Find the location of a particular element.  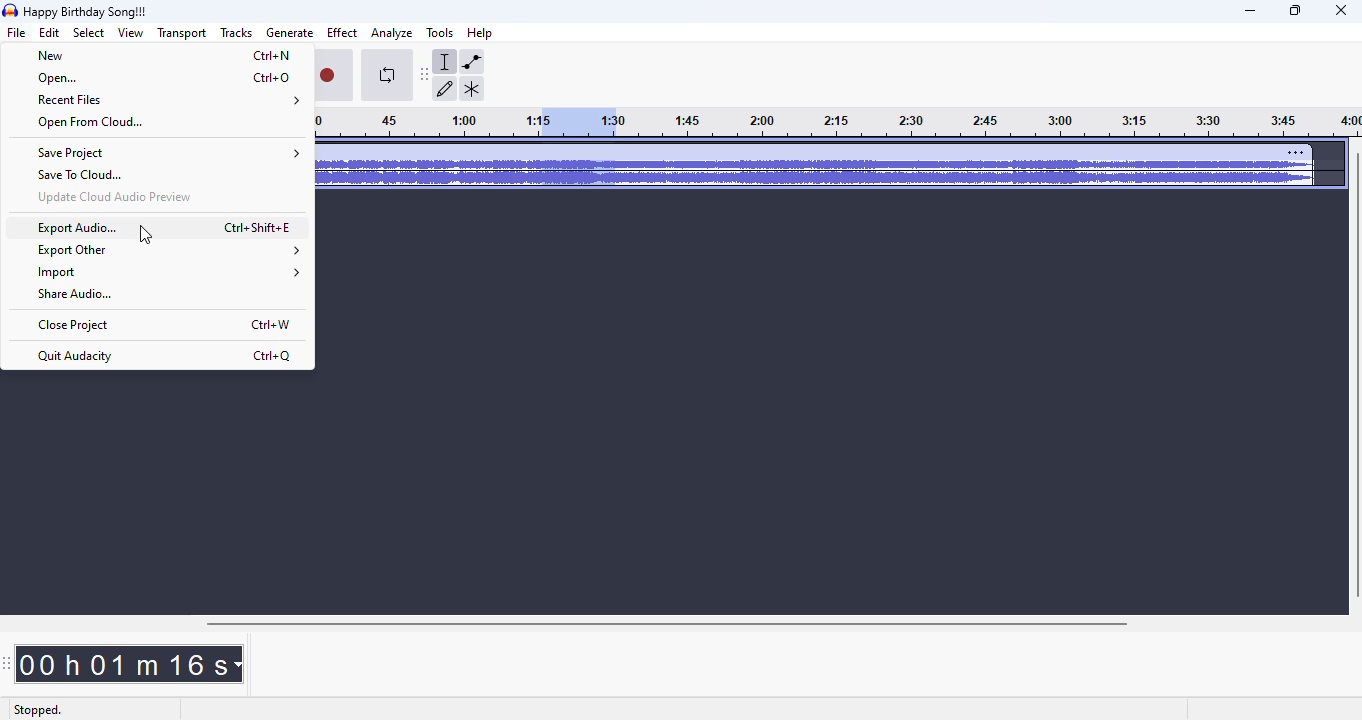

logo is located at coordinates (10, 10).